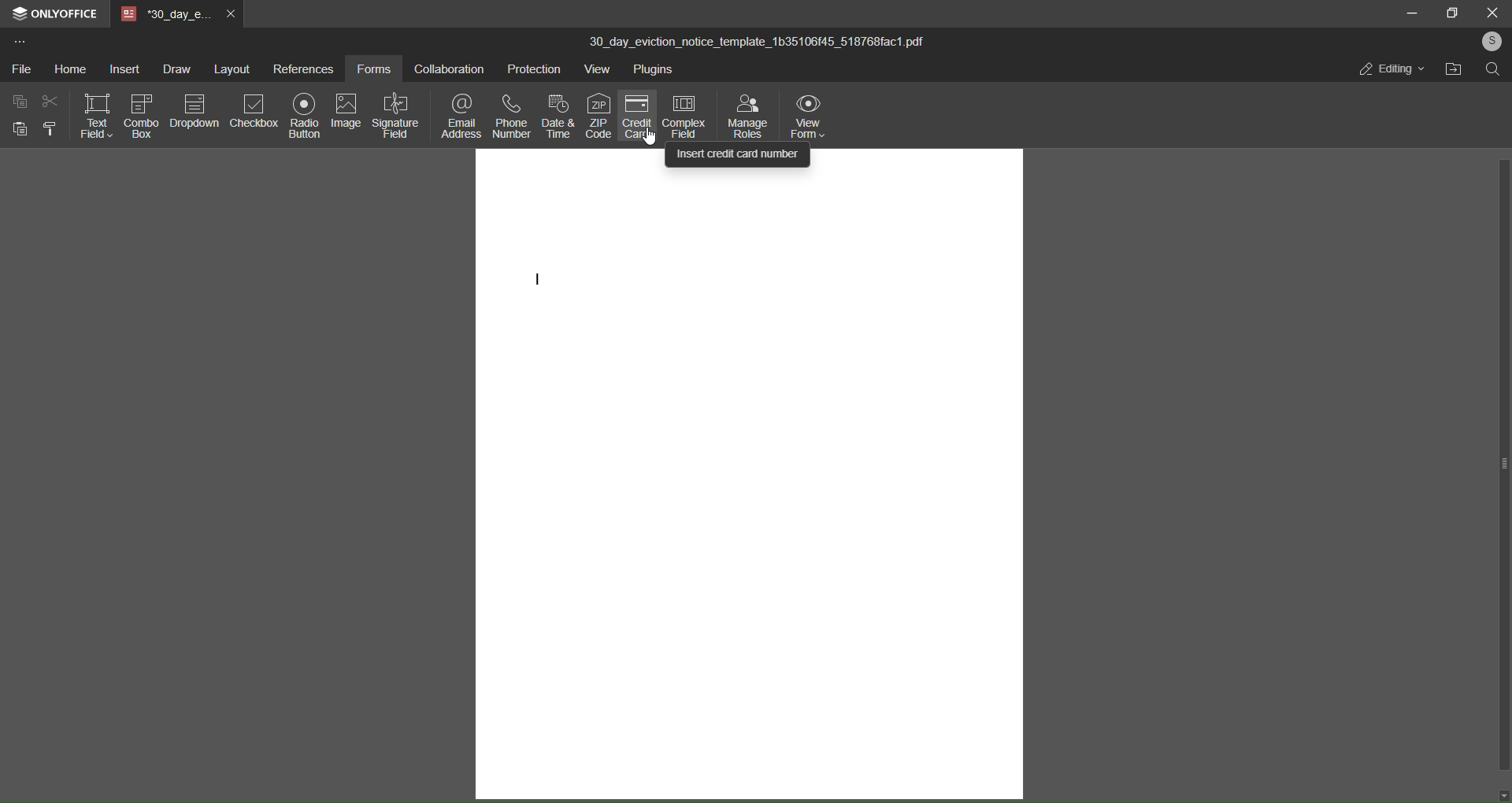 This screenshot has width=1512, height=803. I want to click on start writing, so click(543, 283).